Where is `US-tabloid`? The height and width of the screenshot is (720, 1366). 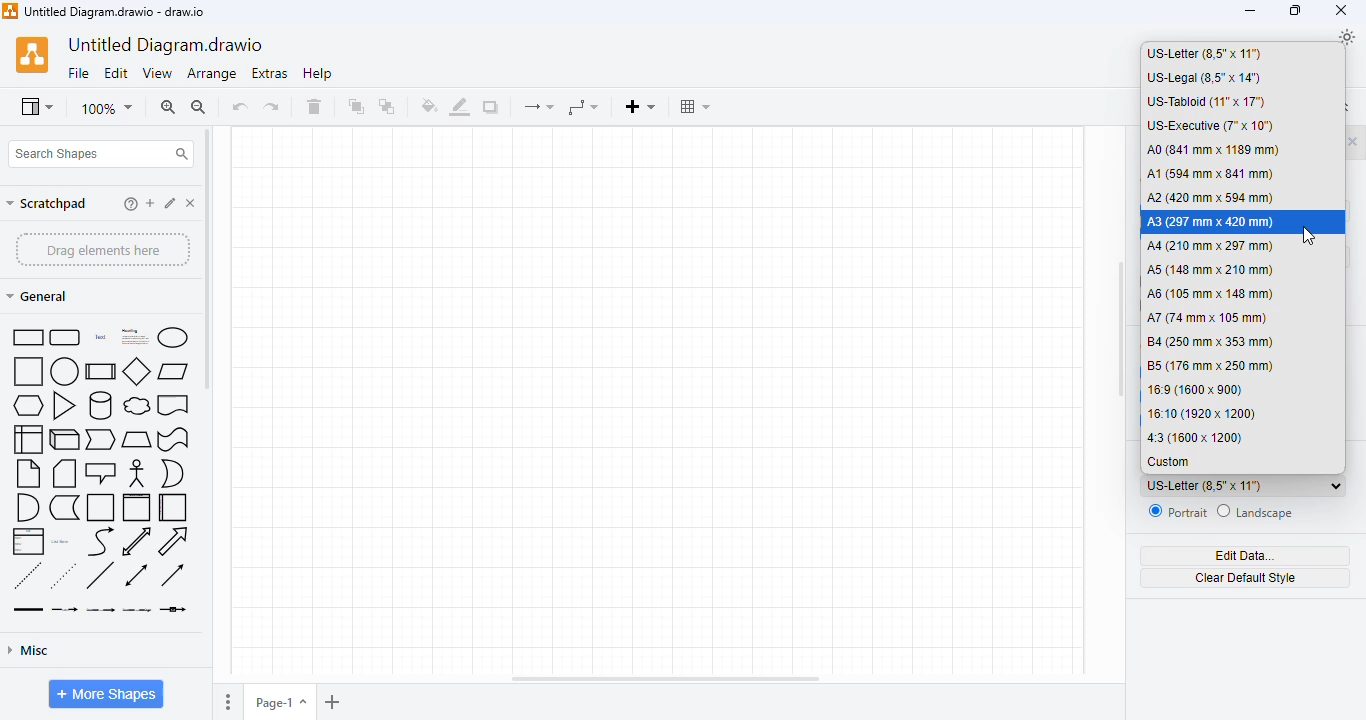 US-tabloid is located at coordinates (1206, 101).